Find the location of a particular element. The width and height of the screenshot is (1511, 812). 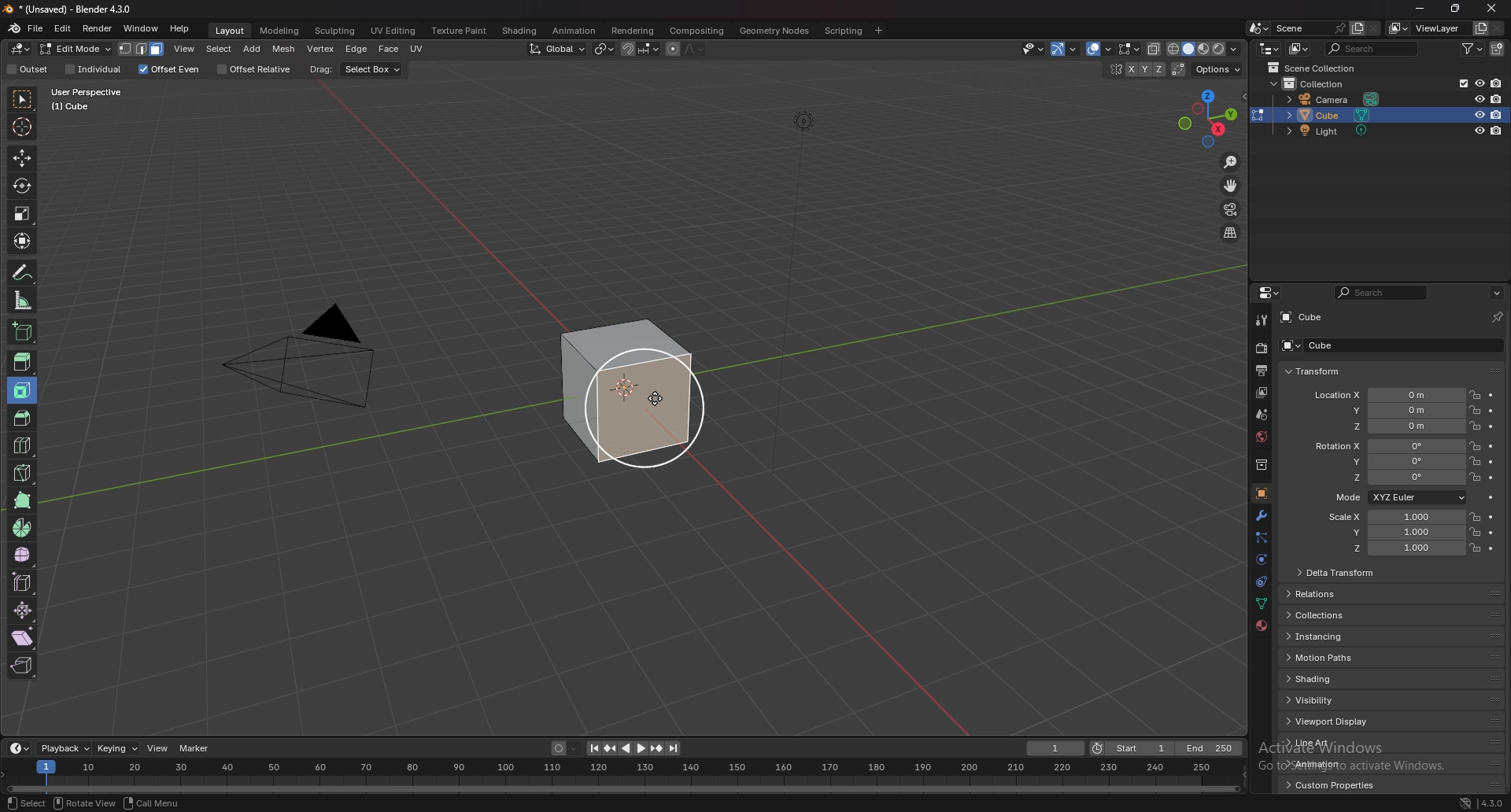

show gizmo is located at coordinates (1063, 49).